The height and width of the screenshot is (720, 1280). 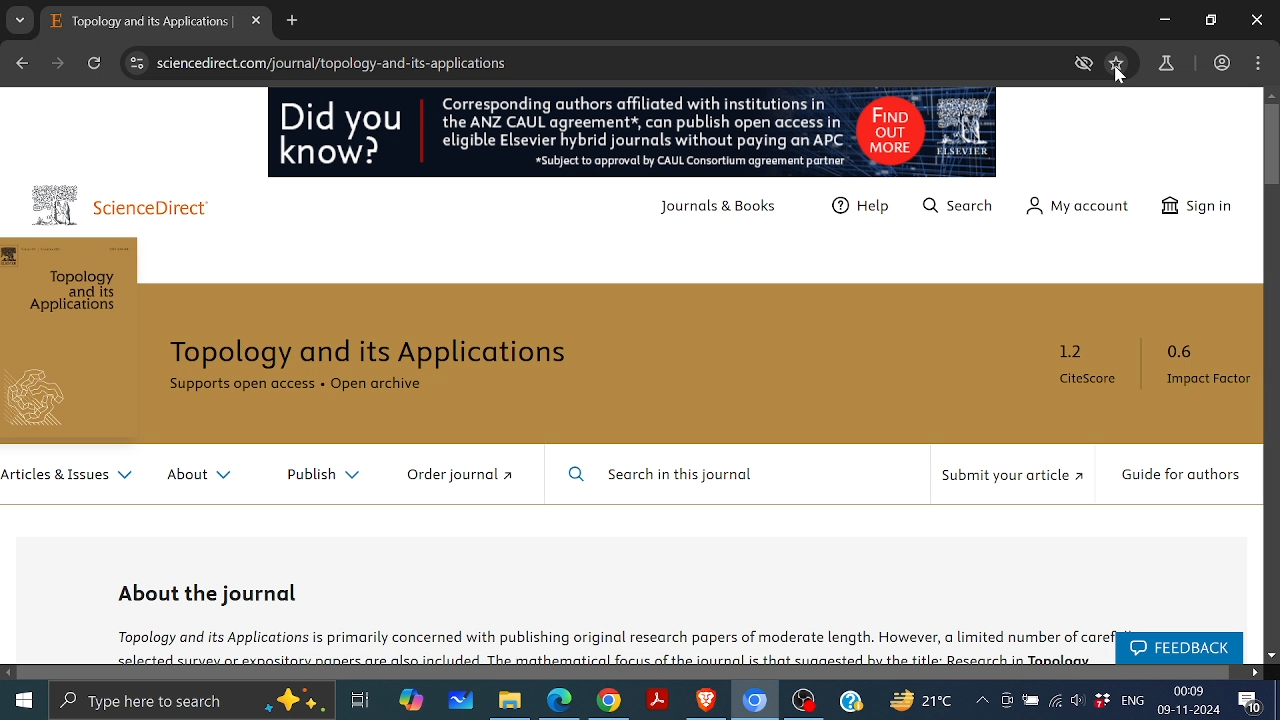 I want to click on Brave browser, so click(x=707, y=701).